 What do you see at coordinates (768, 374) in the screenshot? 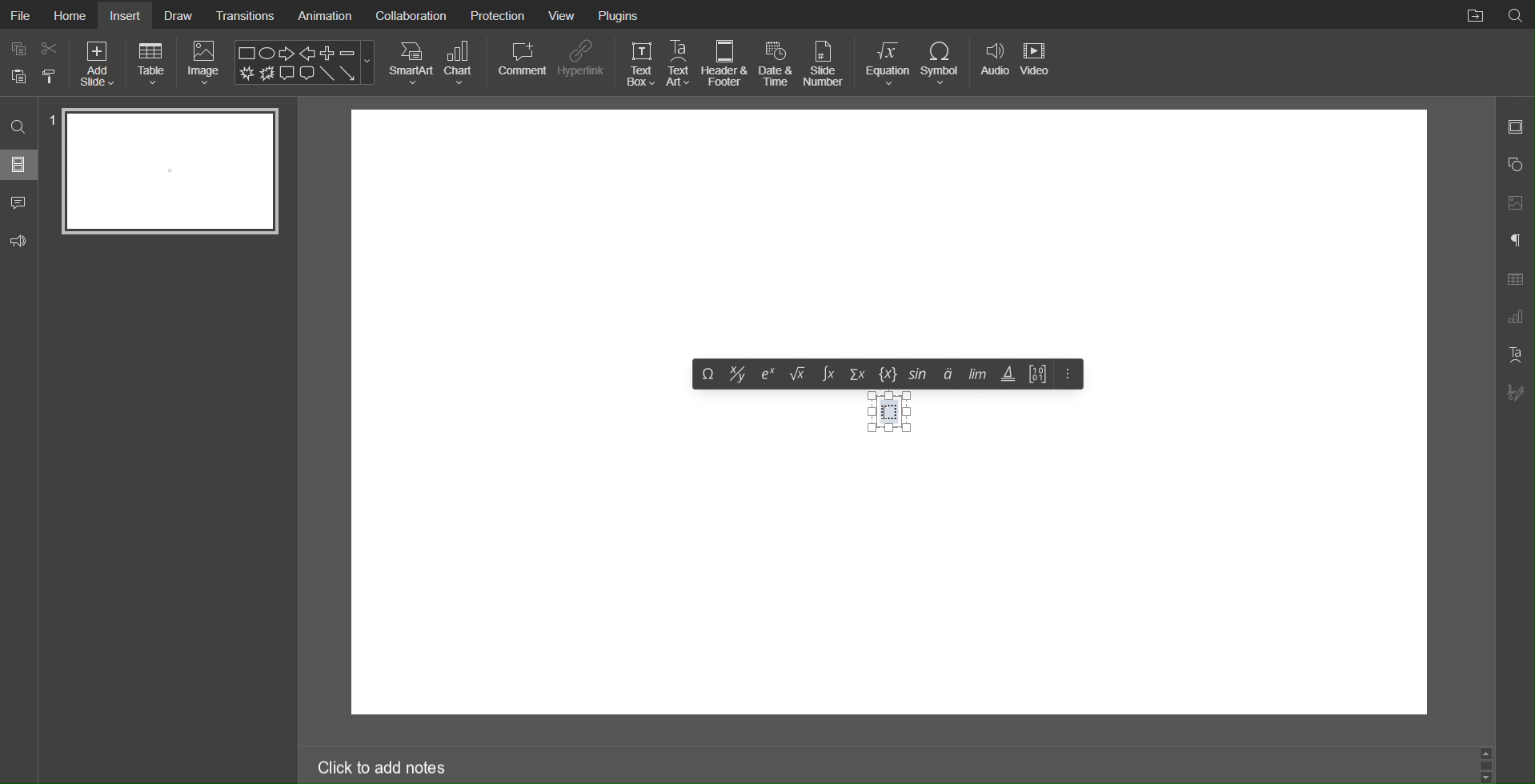
I see `Exponent` at bounding box center [768, 374].